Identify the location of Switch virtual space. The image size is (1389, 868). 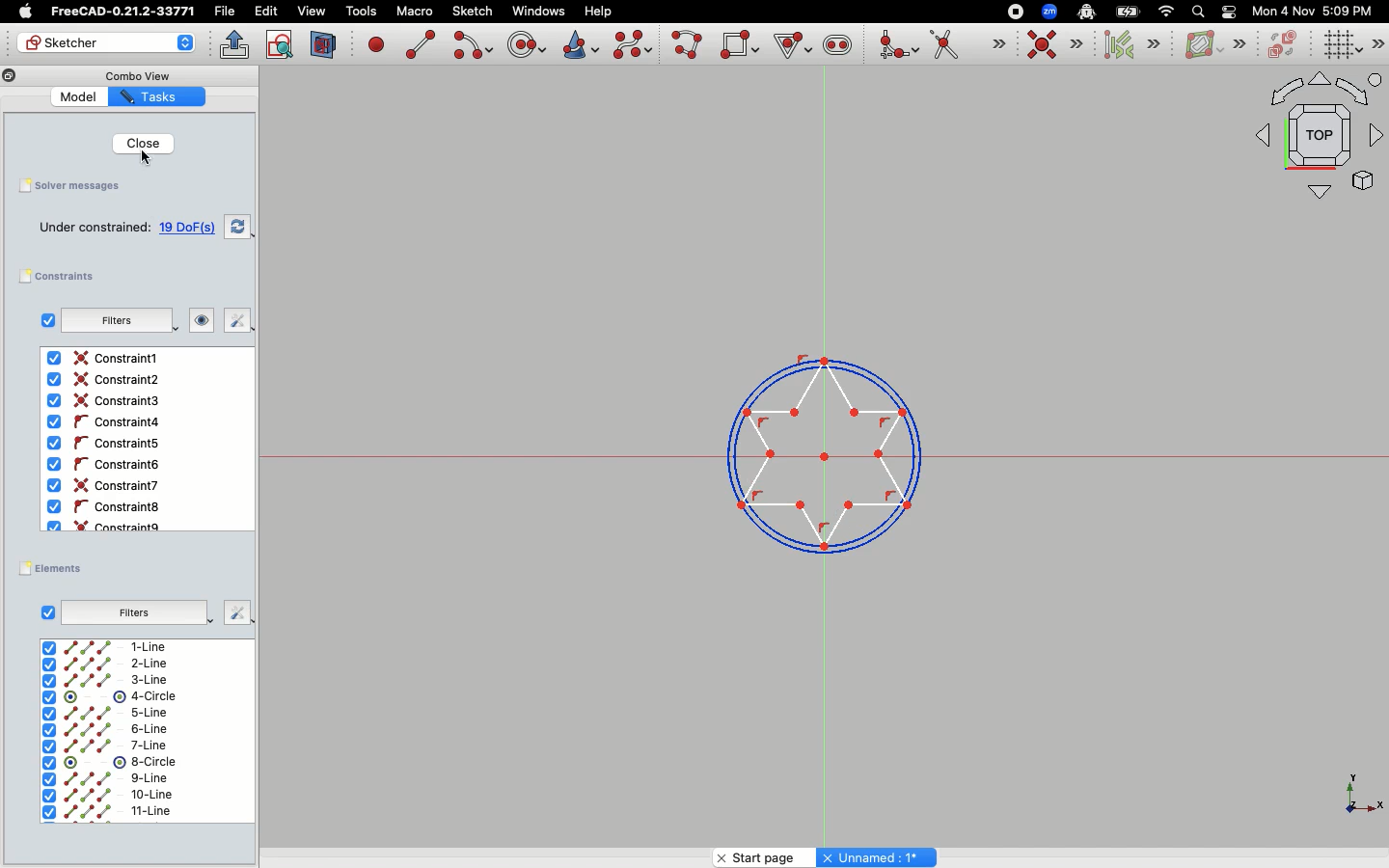
(1285, 45).